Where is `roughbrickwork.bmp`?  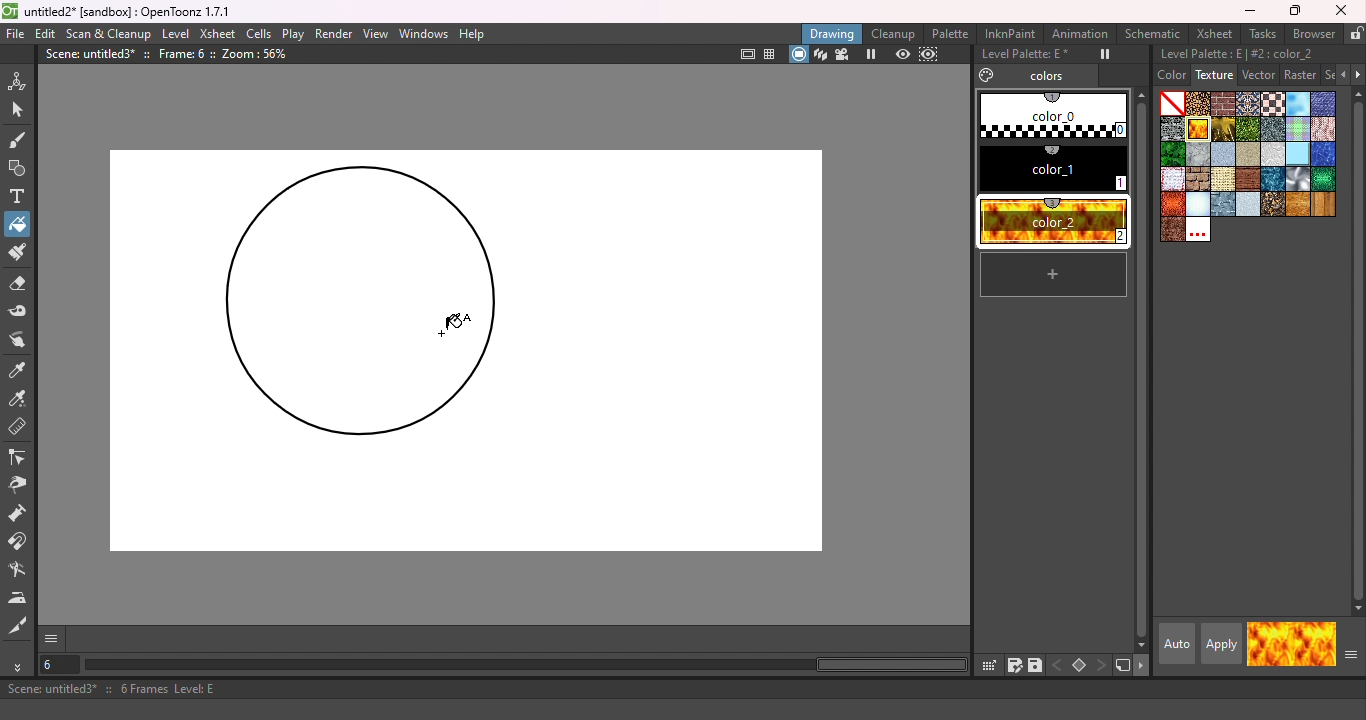 roughbrickwork.bmp is located at coordinates (1199, 180).